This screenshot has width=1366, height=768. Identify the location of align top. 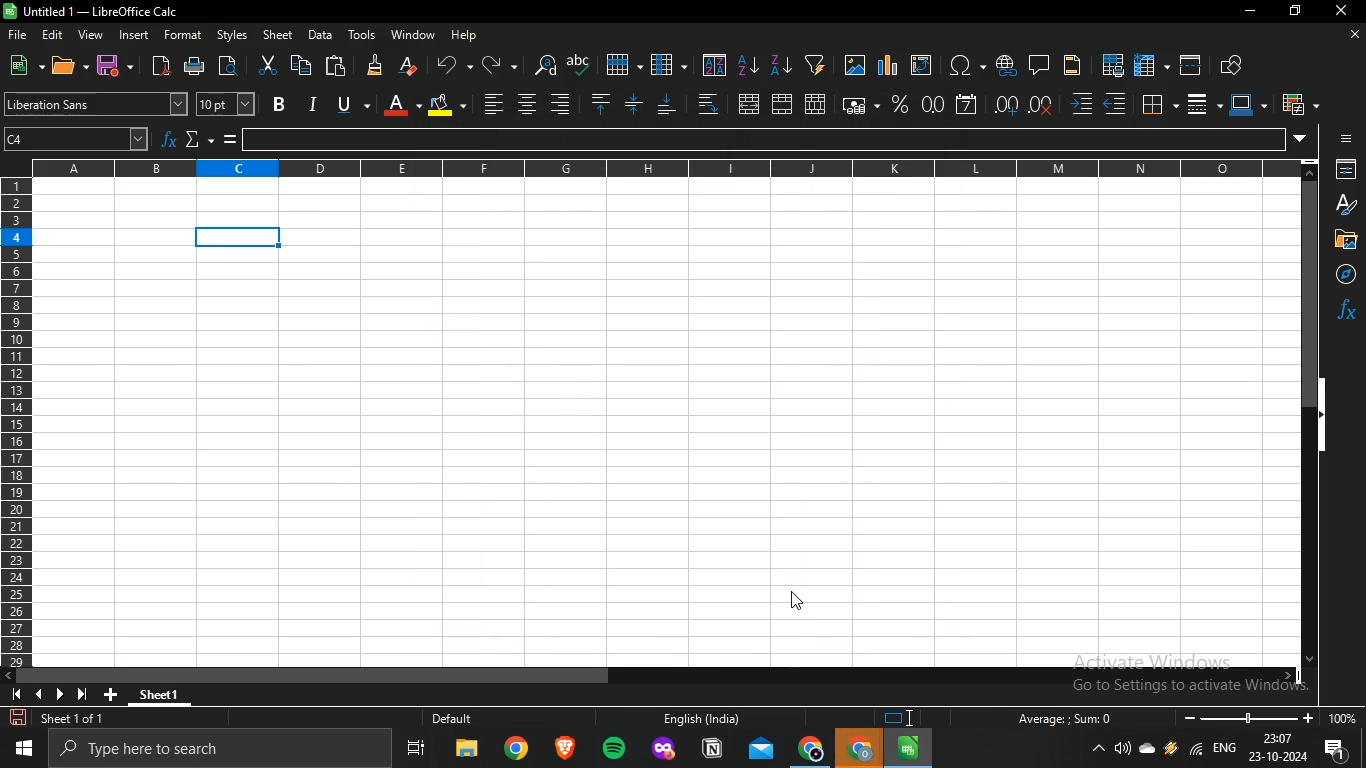
(600, 104).